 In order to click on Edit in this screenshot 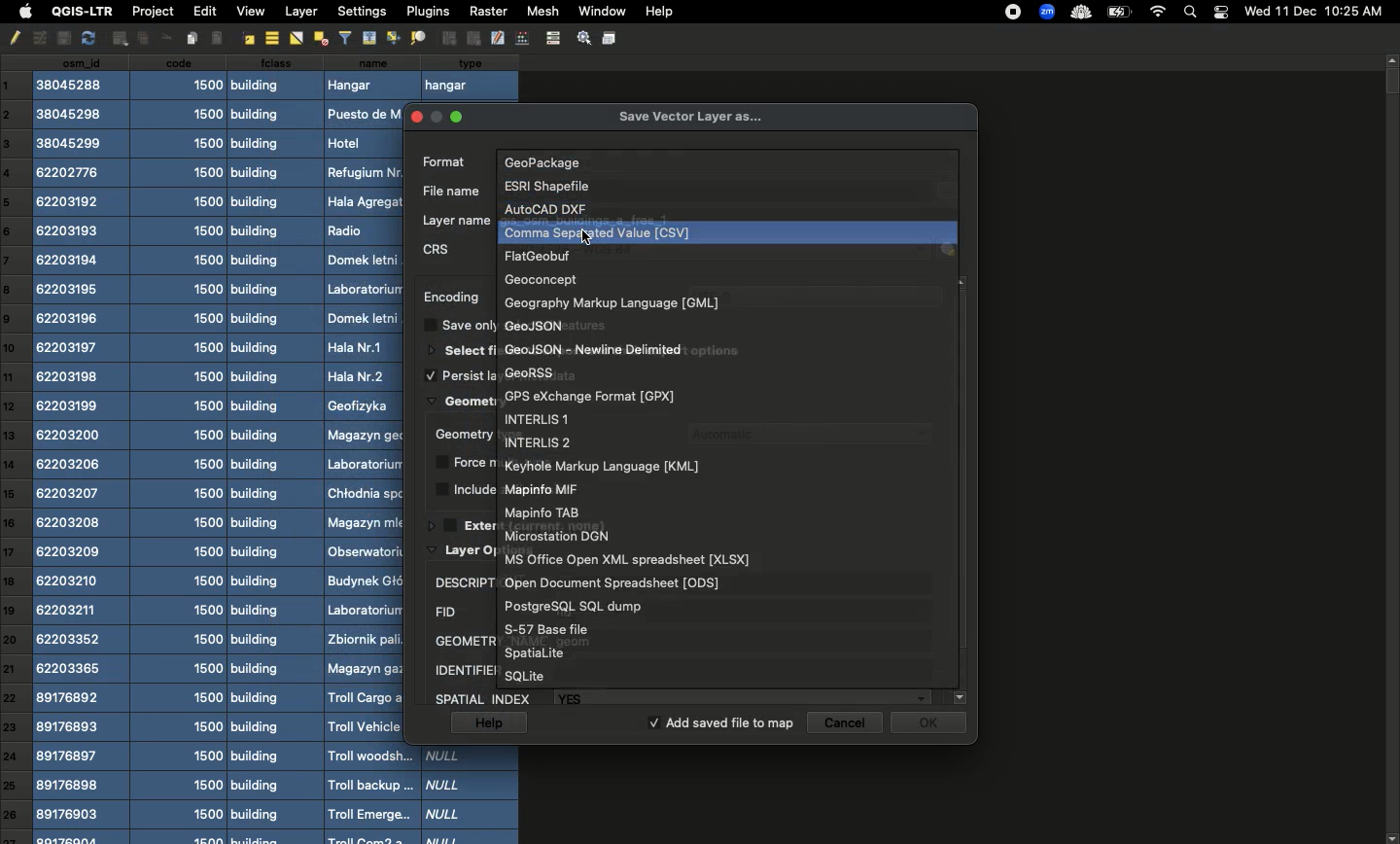, I will do `click(202, 11)`.